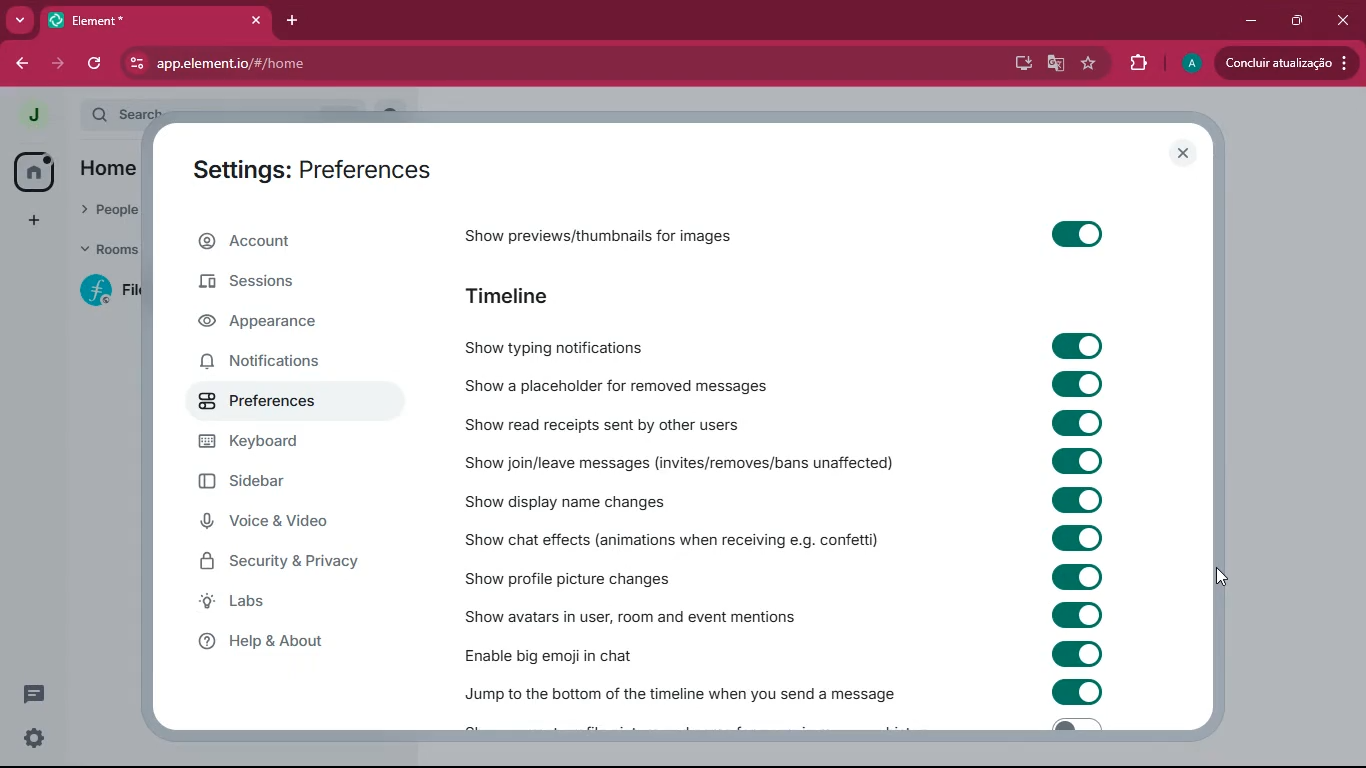 The image size is (1366, 768). What do you see at coordinates (111, 167) in the screenshot?
I see `home` at bounding box center [111, 167].